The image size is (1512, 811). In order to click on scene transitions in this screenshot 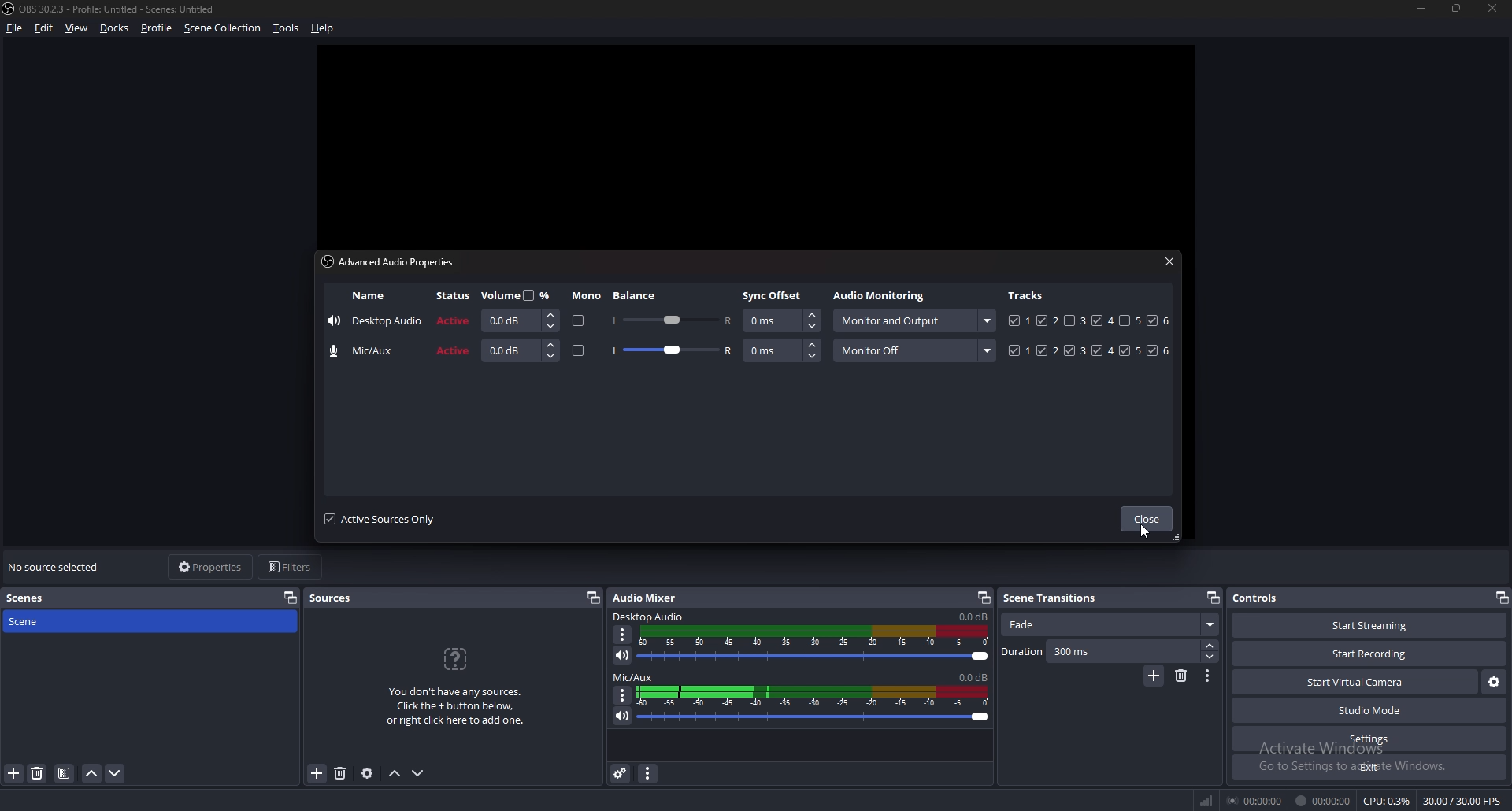, I will do `click(1058, 597)`.